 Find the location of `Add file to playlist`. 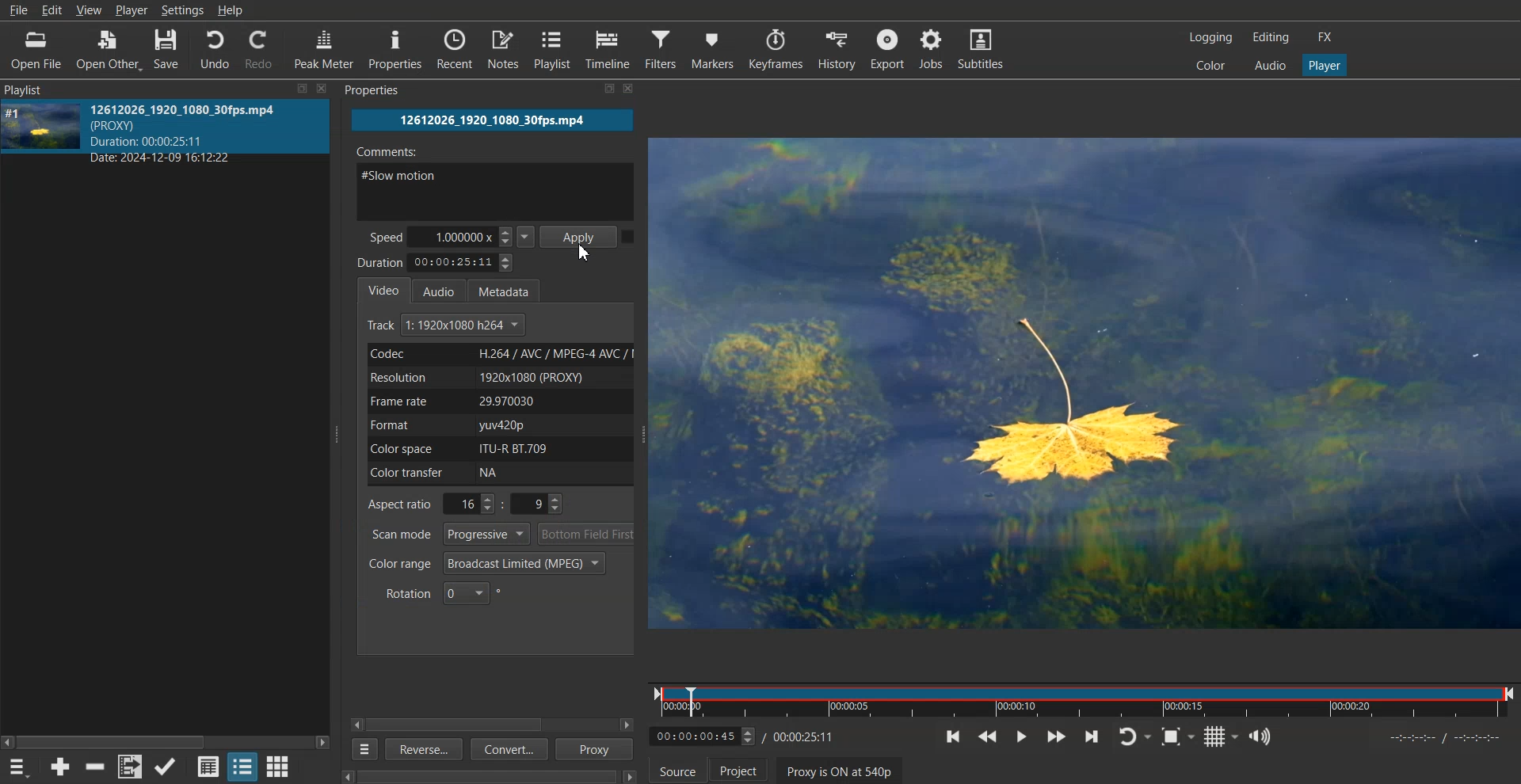

Add file to playlist is located at coordinates (129, 767).